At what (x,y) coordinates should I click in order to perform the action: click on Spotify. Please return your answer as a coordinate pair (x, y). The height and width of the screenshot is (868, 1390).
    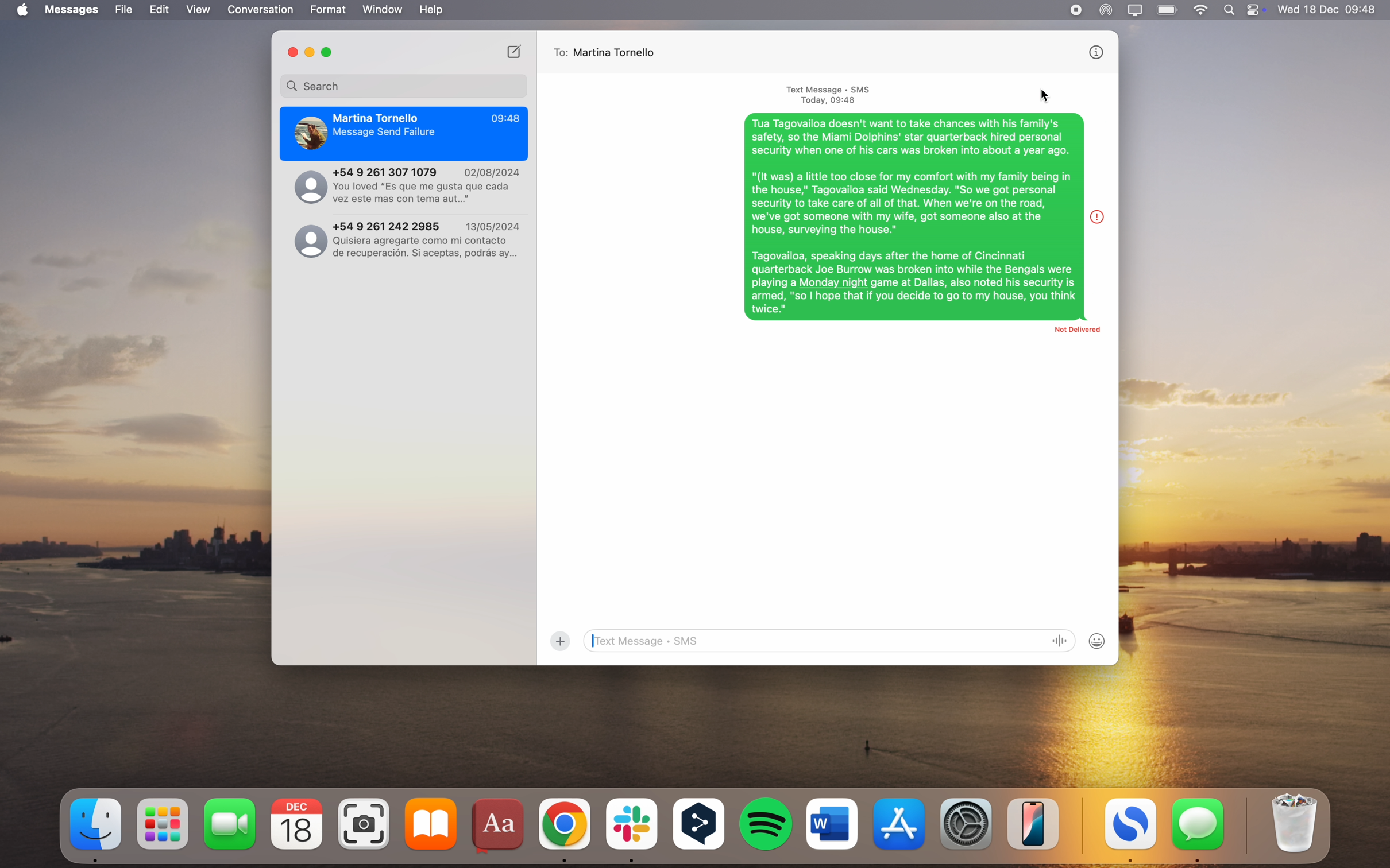
    Looking at the image, I should click on (767, 824).